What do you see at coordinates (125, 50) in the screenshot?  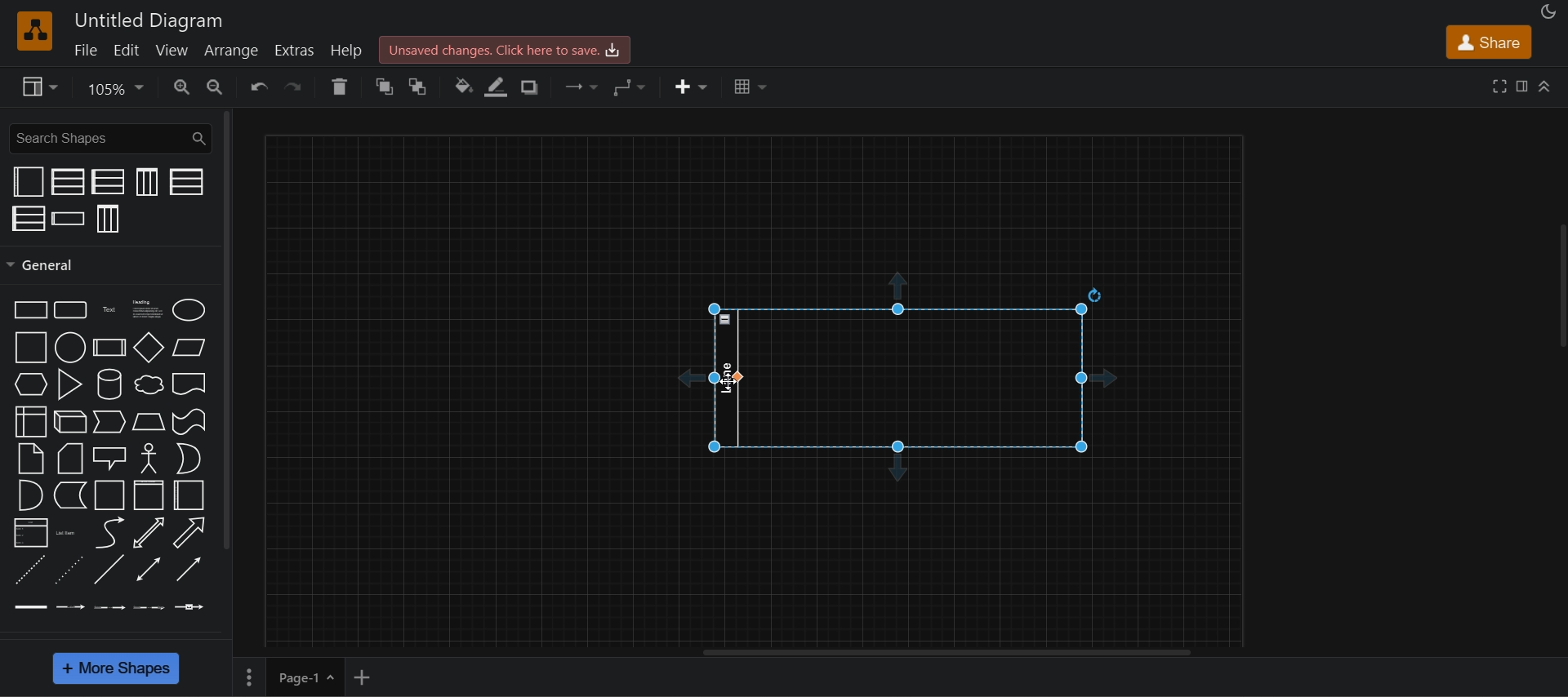 I see `edit` at bounding box center [125, 50].